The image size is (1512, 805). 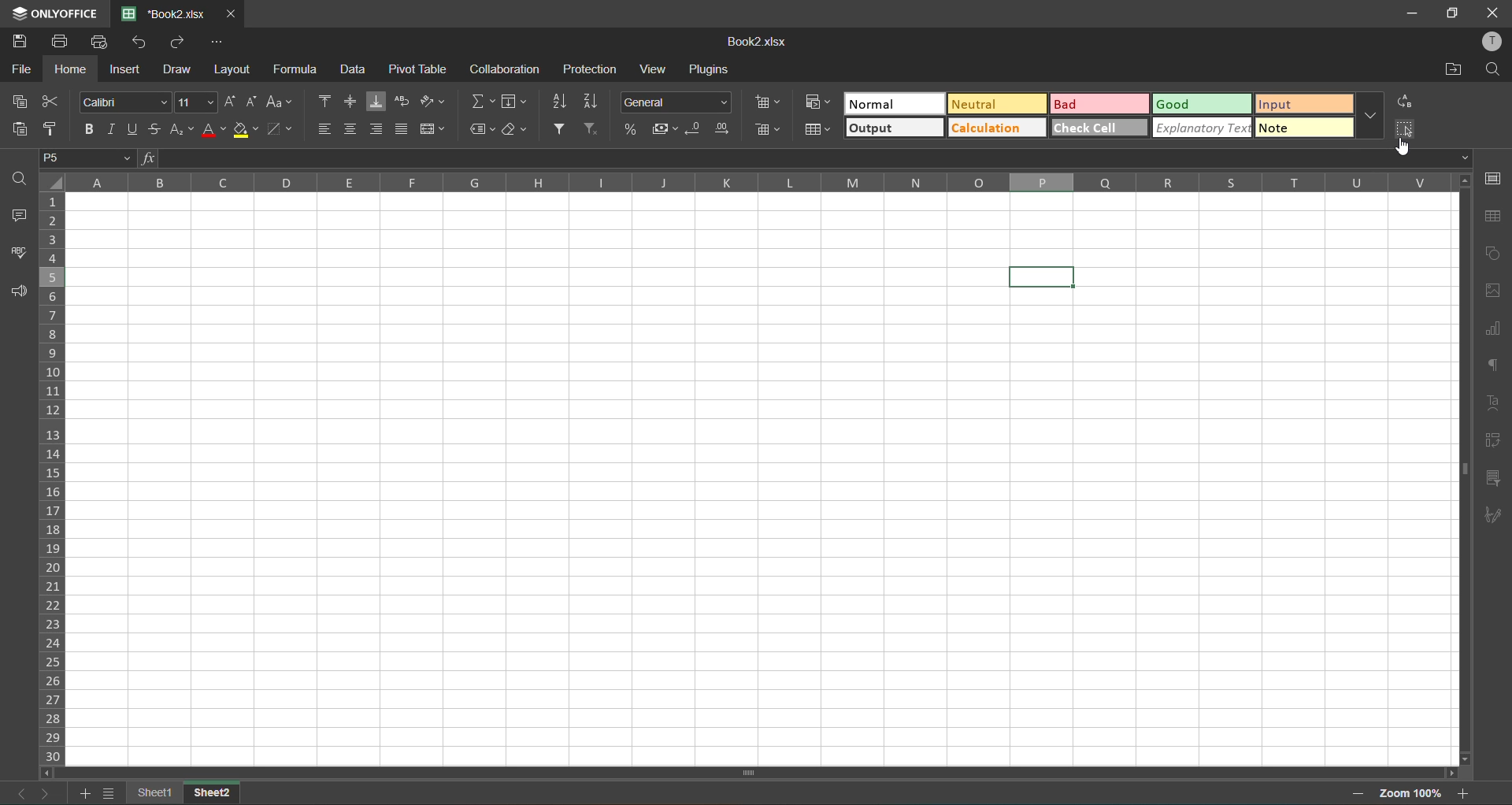 I want to click on find, so click(x=1493, y=69).